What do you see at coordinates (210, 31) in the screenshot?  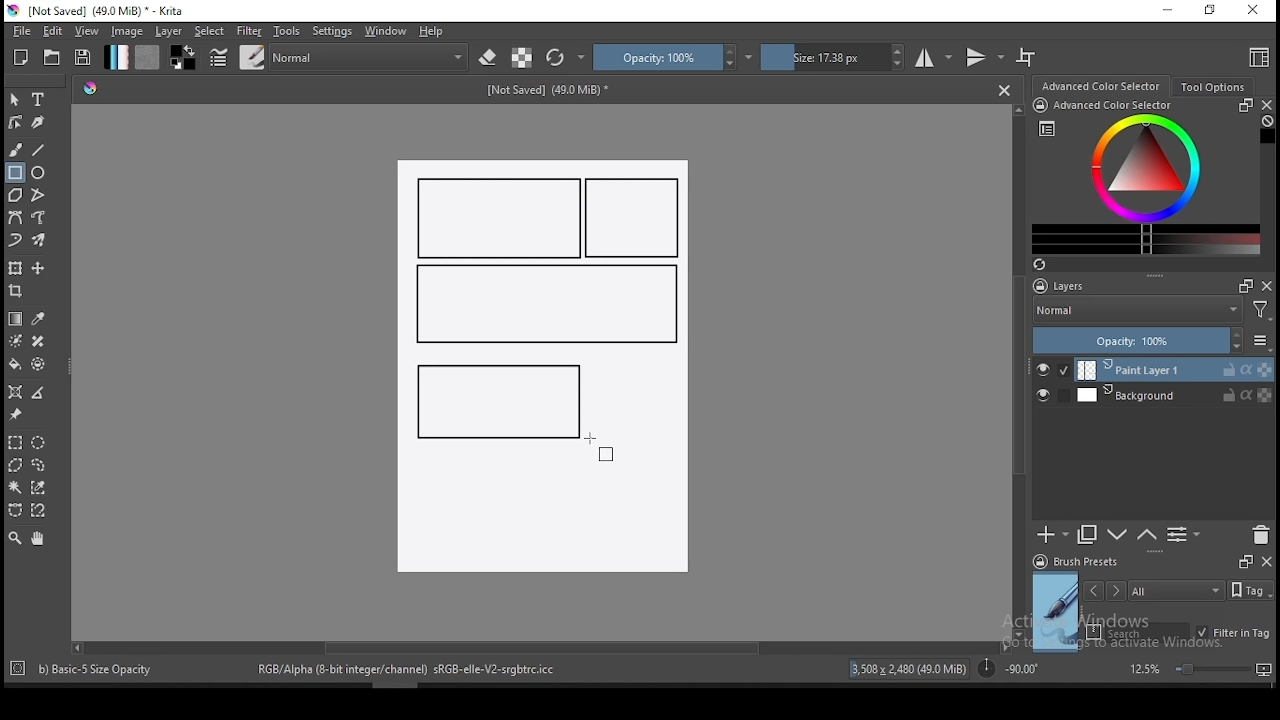 I see `select` at bounding box center [210, 31].